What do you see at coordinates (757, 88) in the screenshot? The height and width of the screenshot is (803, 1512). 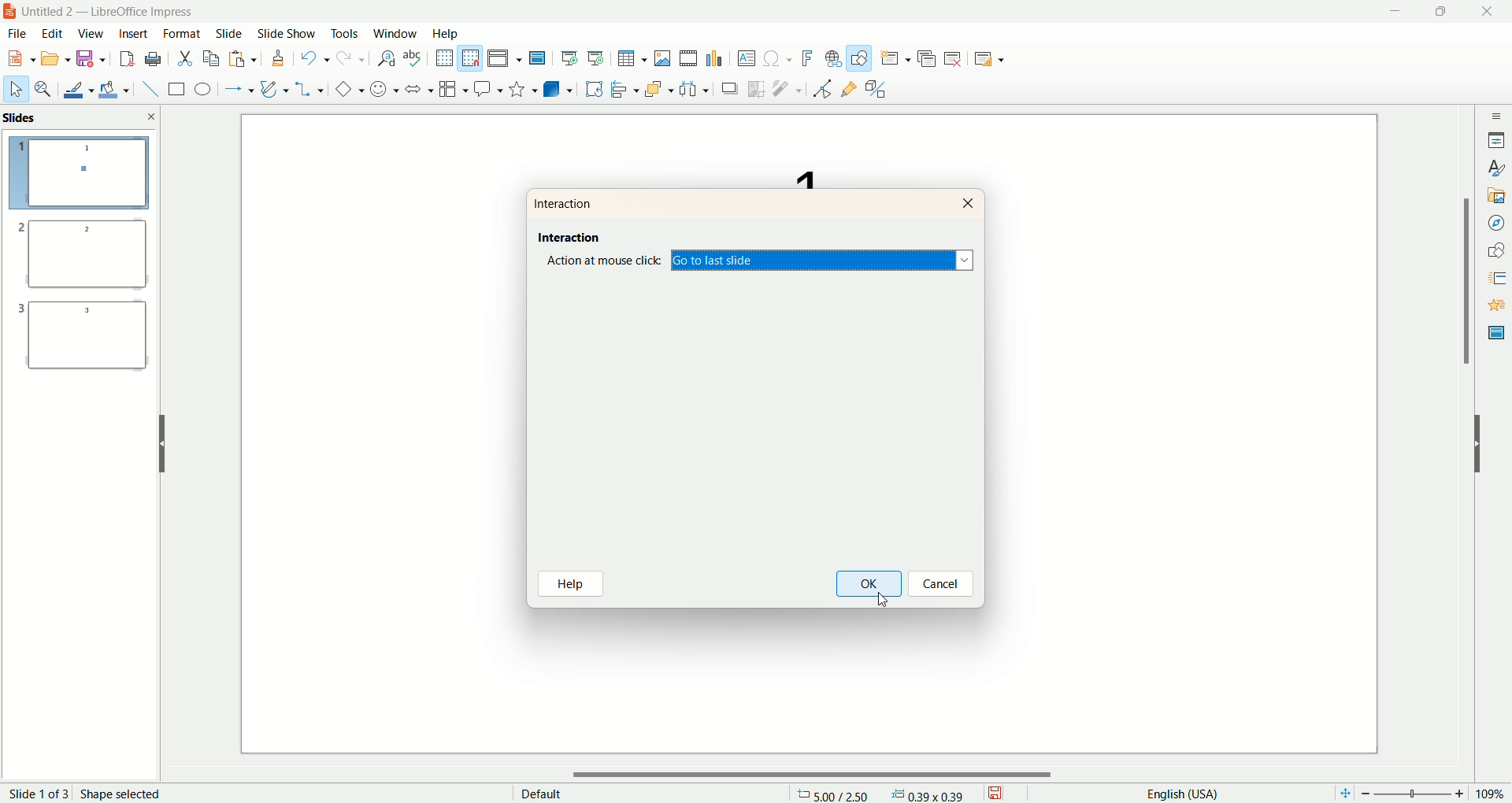 I see `crop image` at bounding box center [757, 88].